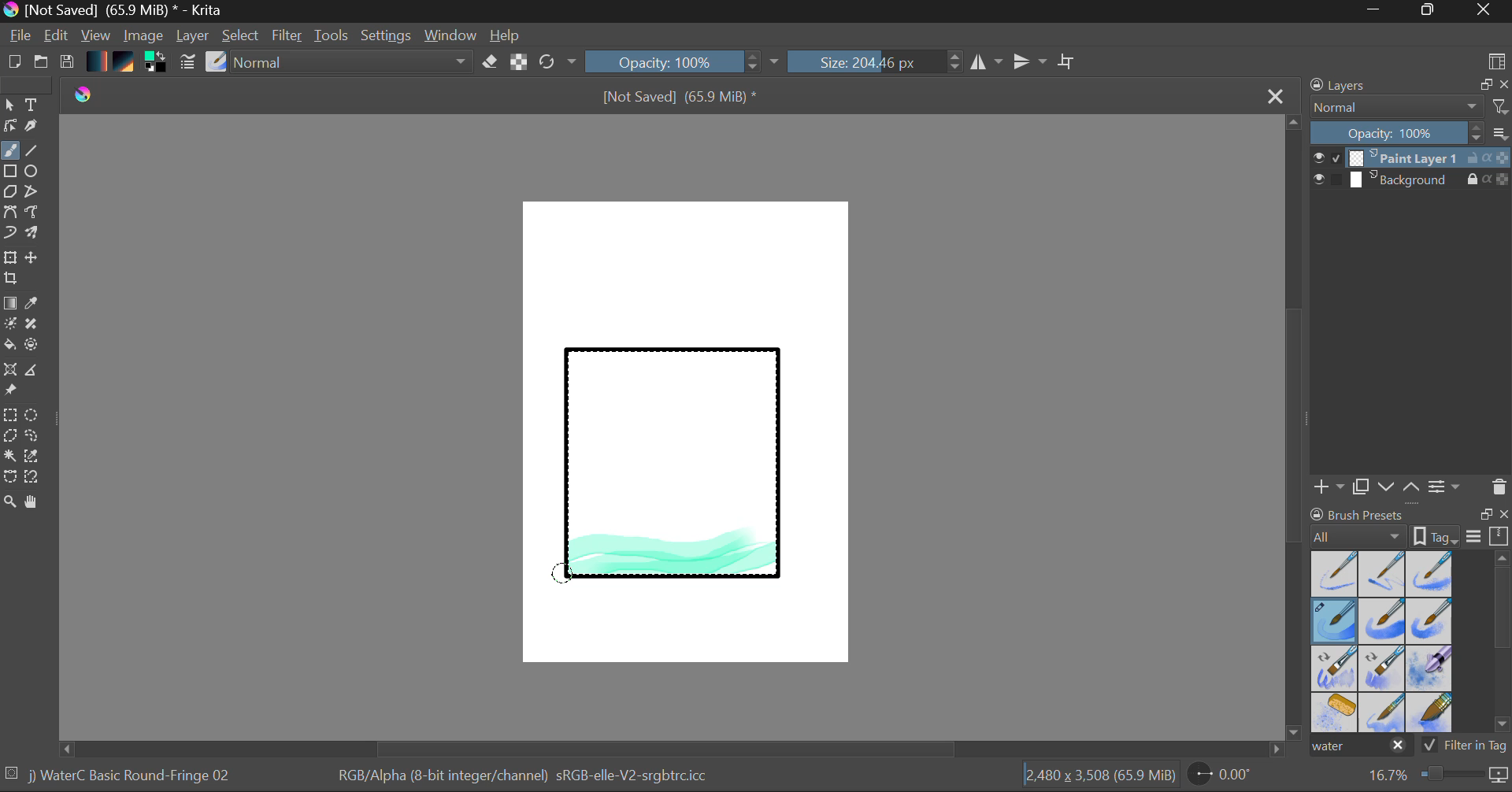 The width and height of the screenshot is (1512, 792). Describe the element at coordinates (506, 35) in the screenshot. I see `Help` at that location.